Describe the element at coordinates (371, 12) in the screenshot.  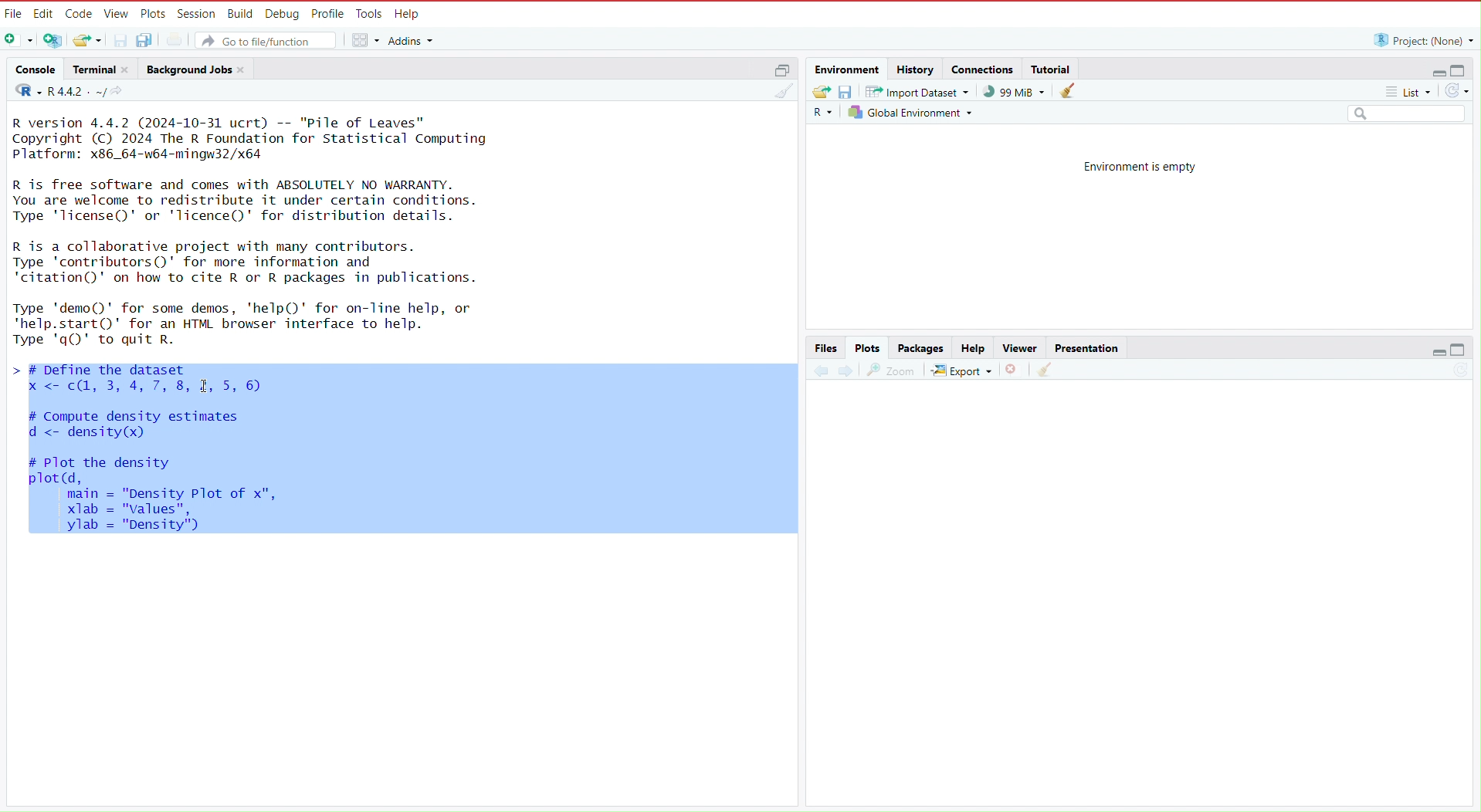
I see `tools` at that location.